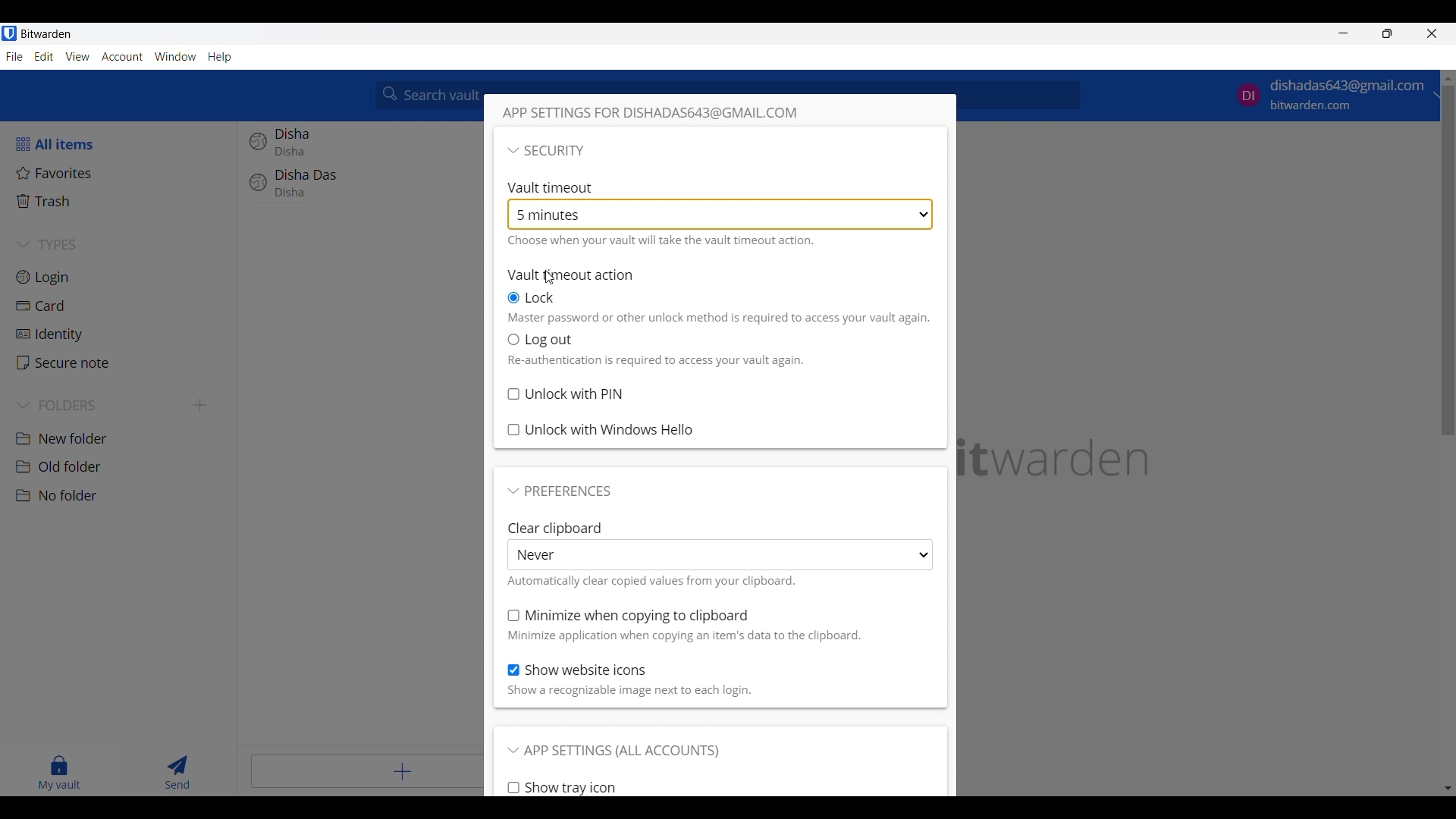 This screenshot has width=1456, height=819. What do you see at coordinates (1432, 33) in the screenshot?
I see `Close interface` at bounding box center [1432, 33].